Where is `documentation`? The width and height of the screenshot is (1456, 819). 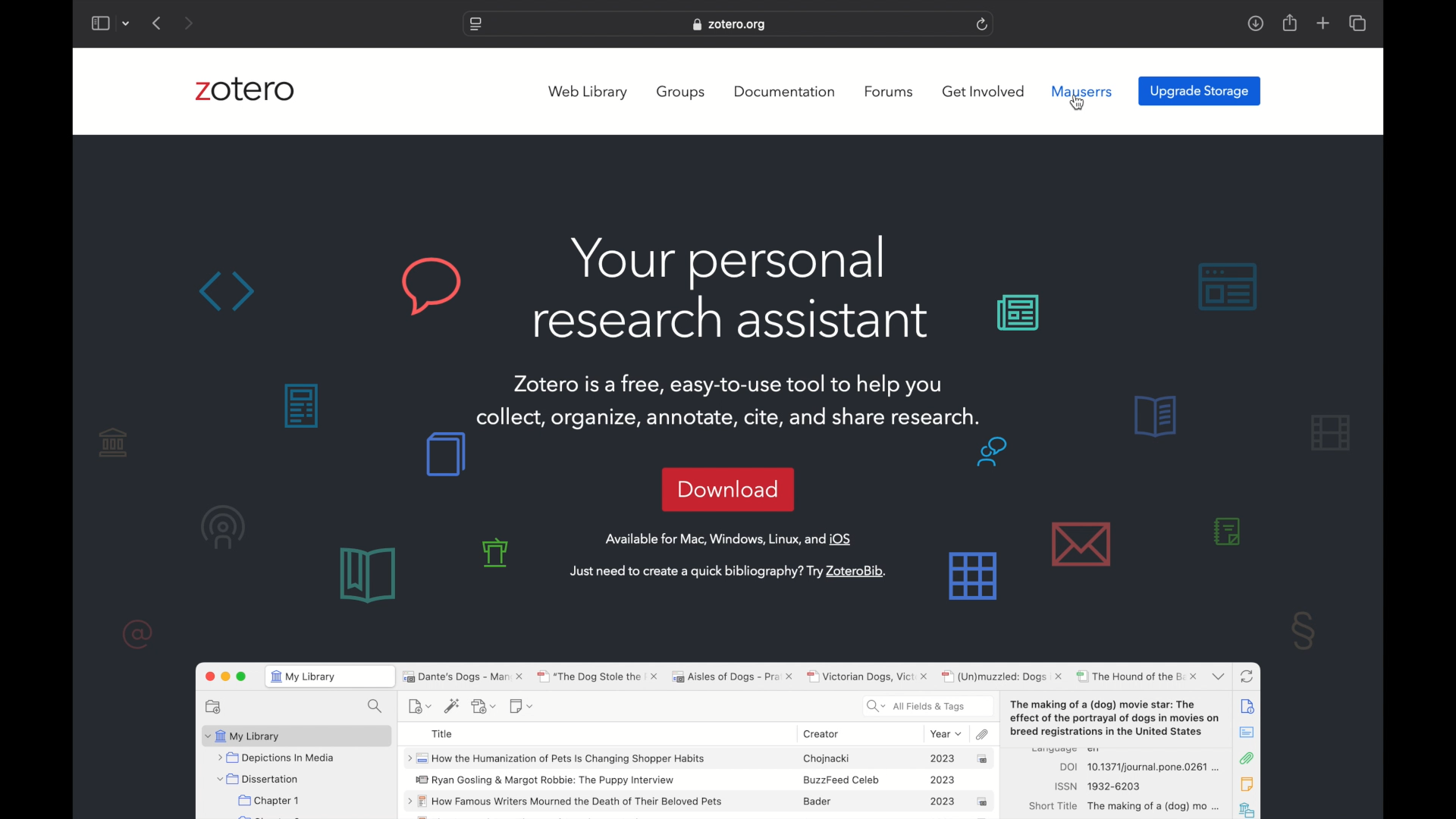 documentation is located at coordinates (784, 92).